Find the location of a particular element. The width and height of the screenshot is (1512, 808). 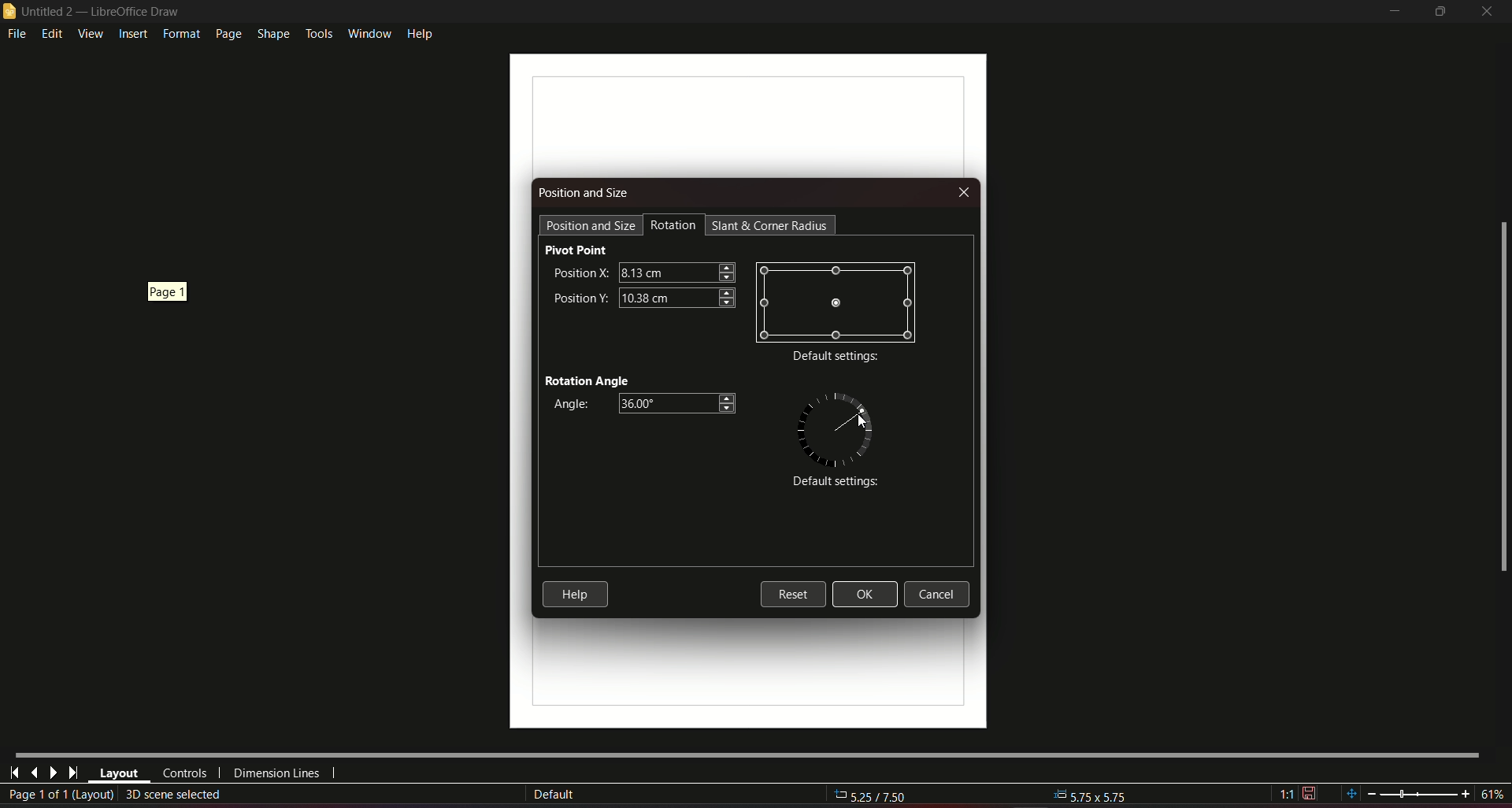

Reset is located at coordinates (792, 593).